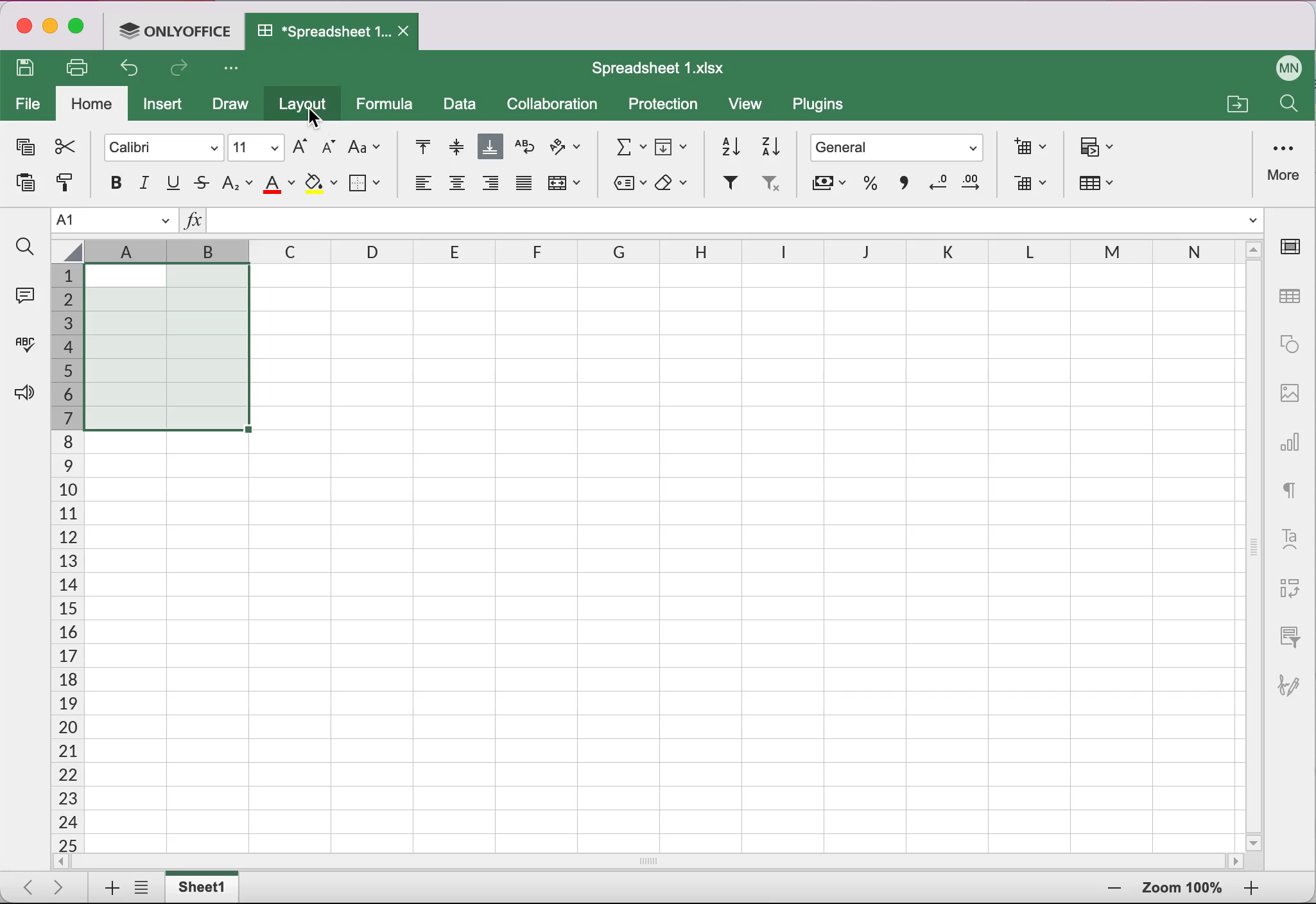 This screenshot has width=1316, height=904. I want to click on copy style, so click(64, 187).